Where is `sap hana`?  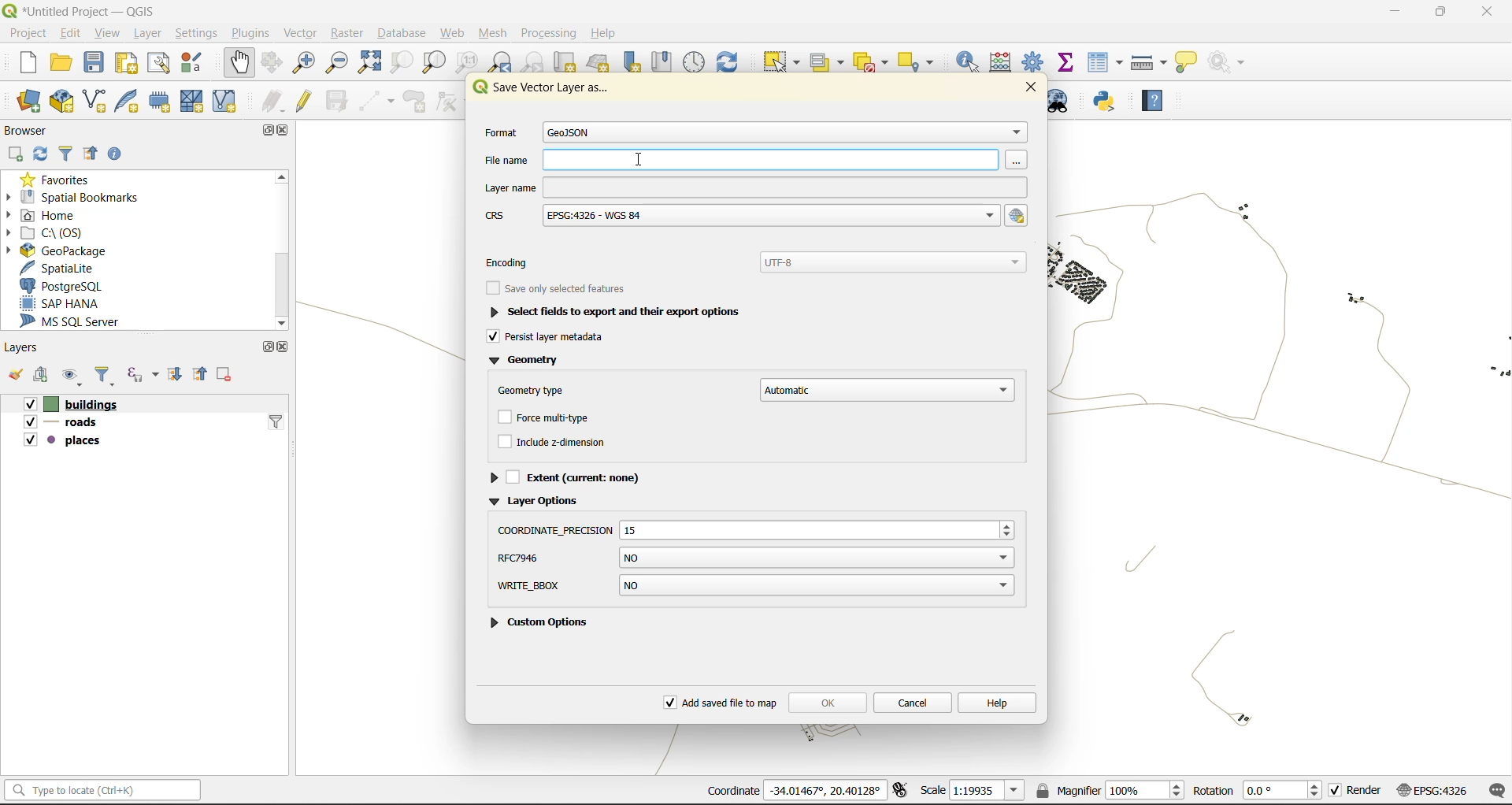 sap hana is located at coordinates (79, 304).